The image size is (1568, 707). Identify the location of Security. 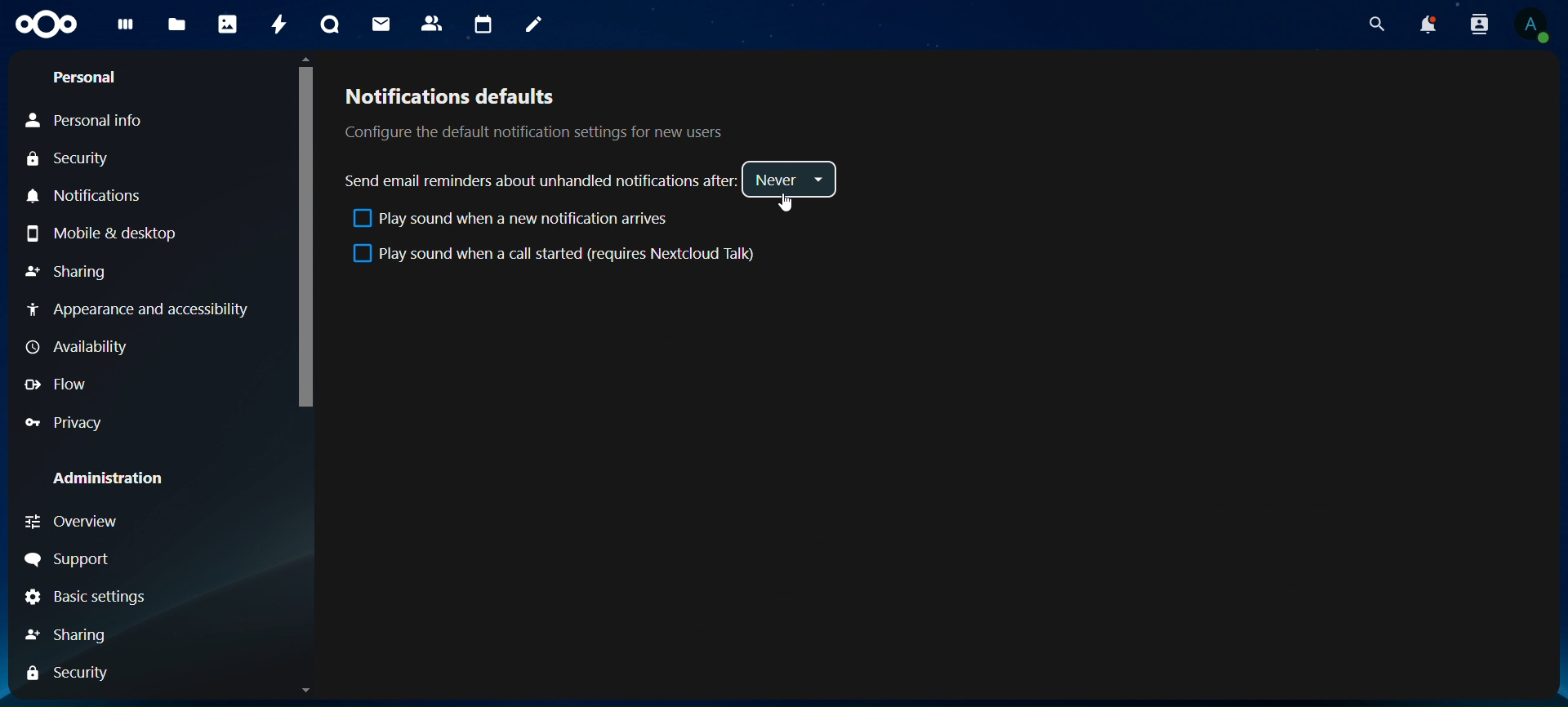
(66, 674).